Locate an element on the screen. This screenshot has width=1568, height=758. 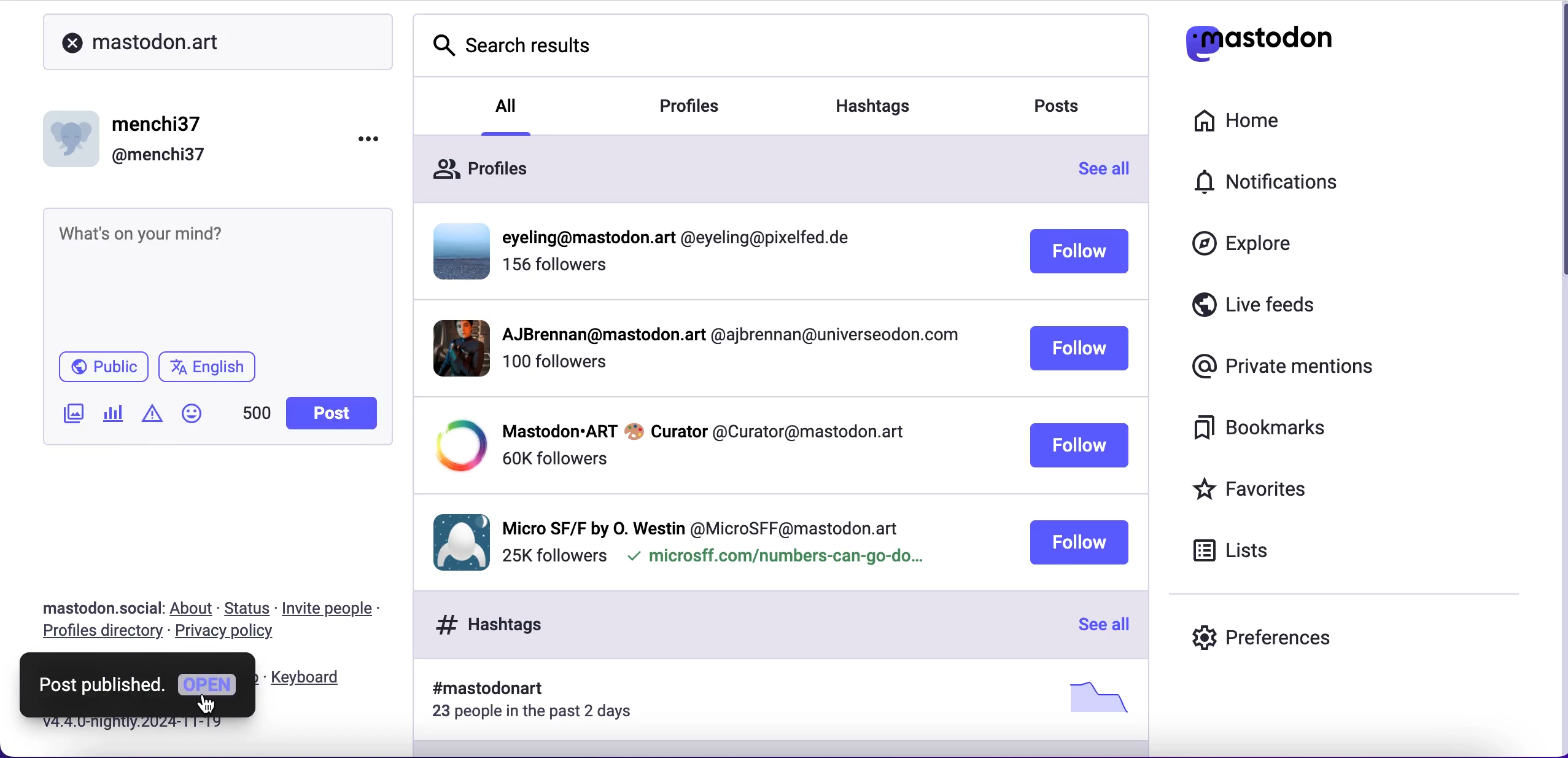
followers is located at coordinates (554, 459).